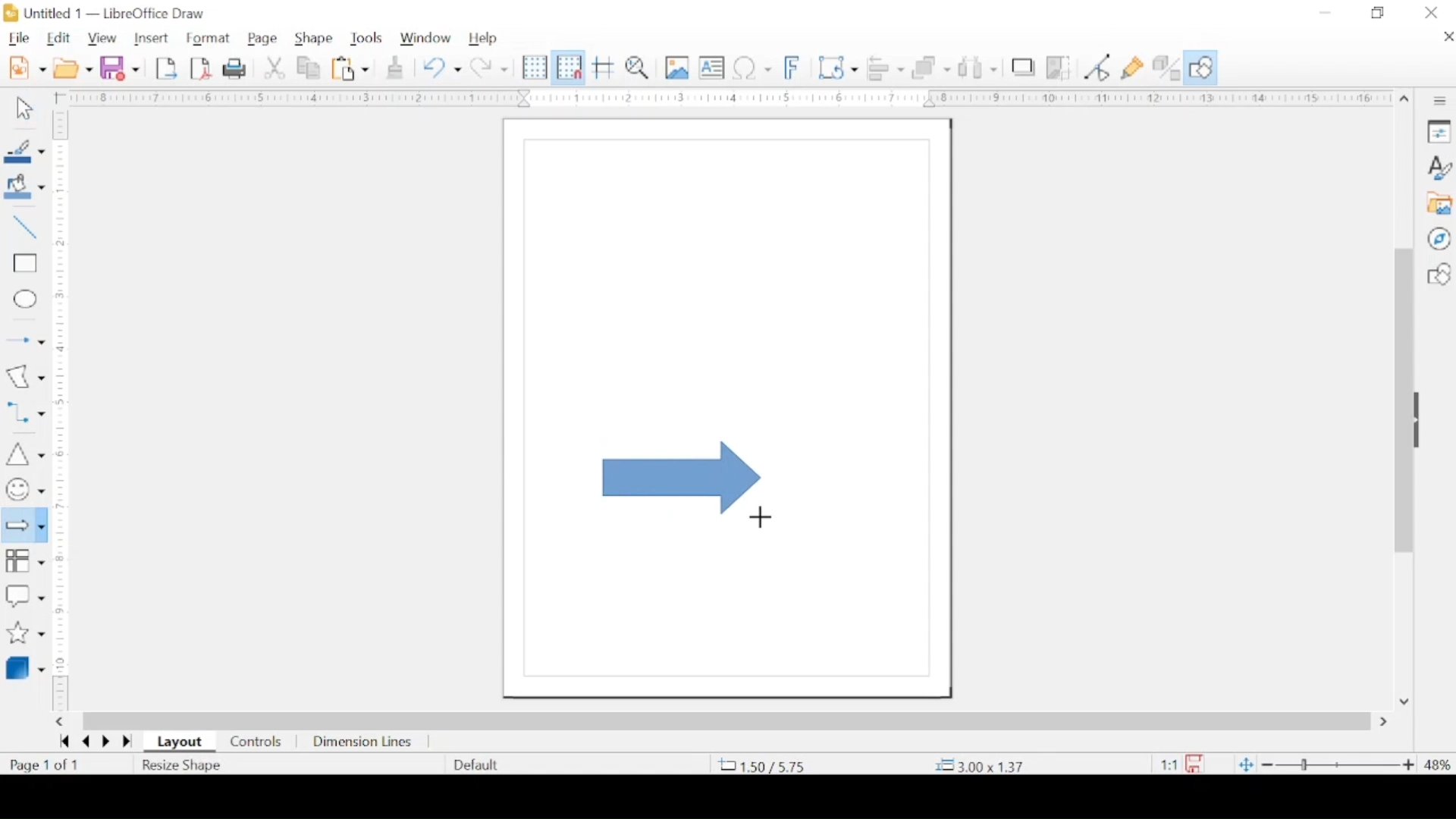 This screenshot has width=1456, height=819. What do you see at coordinates (64, 742) in the screenshot?
I see `first` at bounding box center [64, 742].